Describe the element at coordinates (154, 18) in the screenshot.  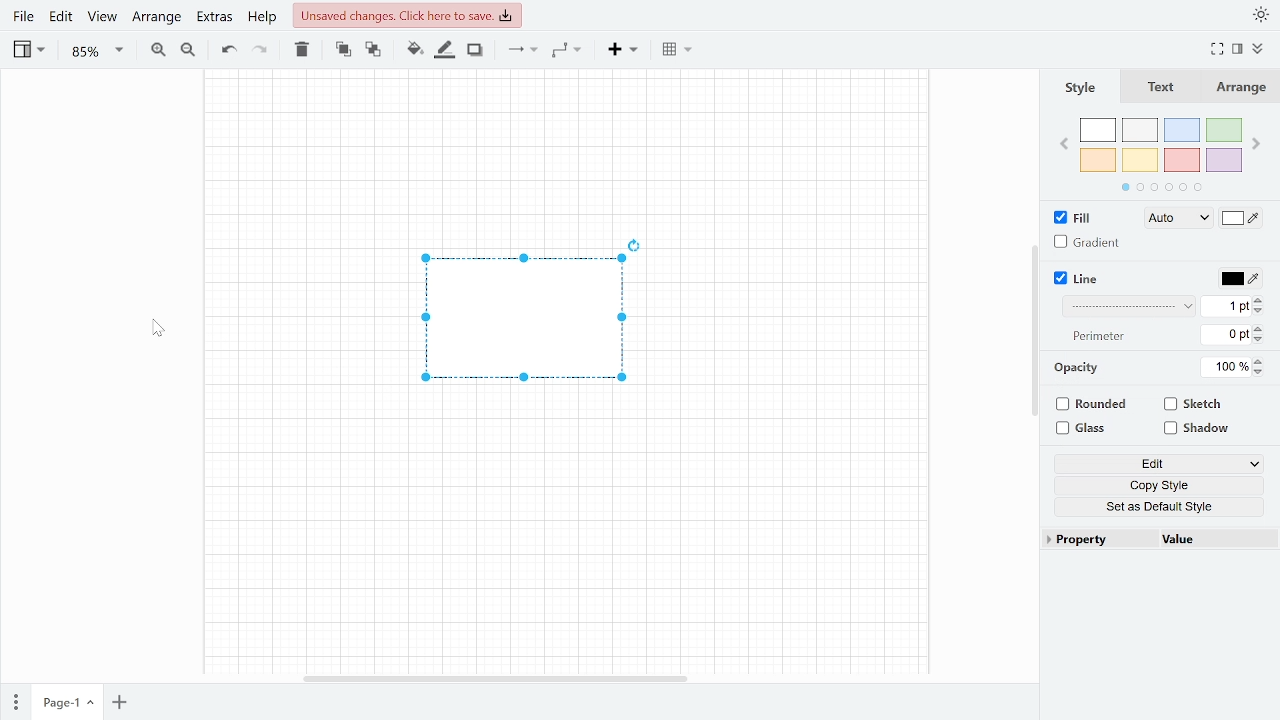
I see `Arrange` at that location.